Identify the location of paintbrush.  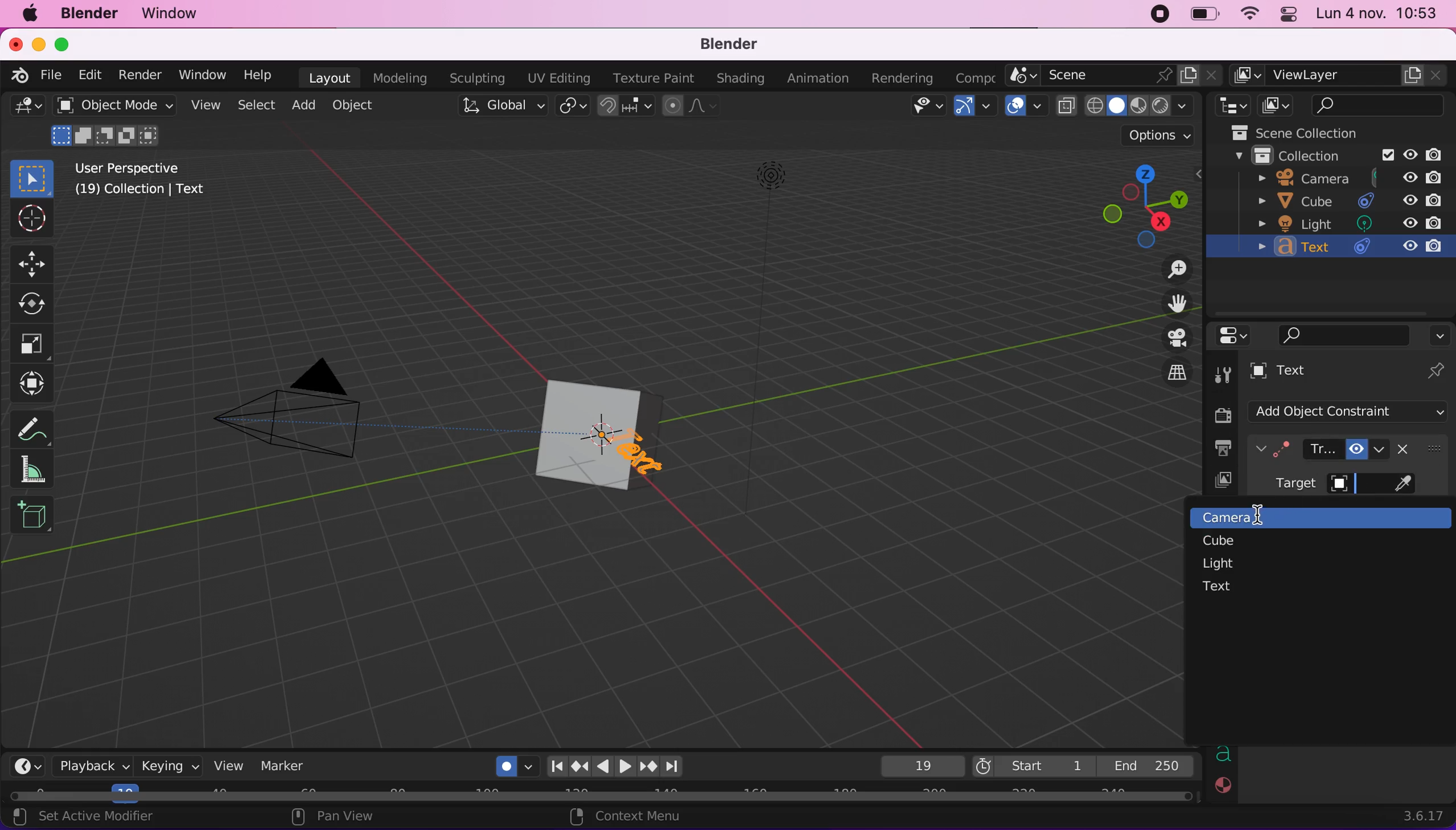
(1407, 486).